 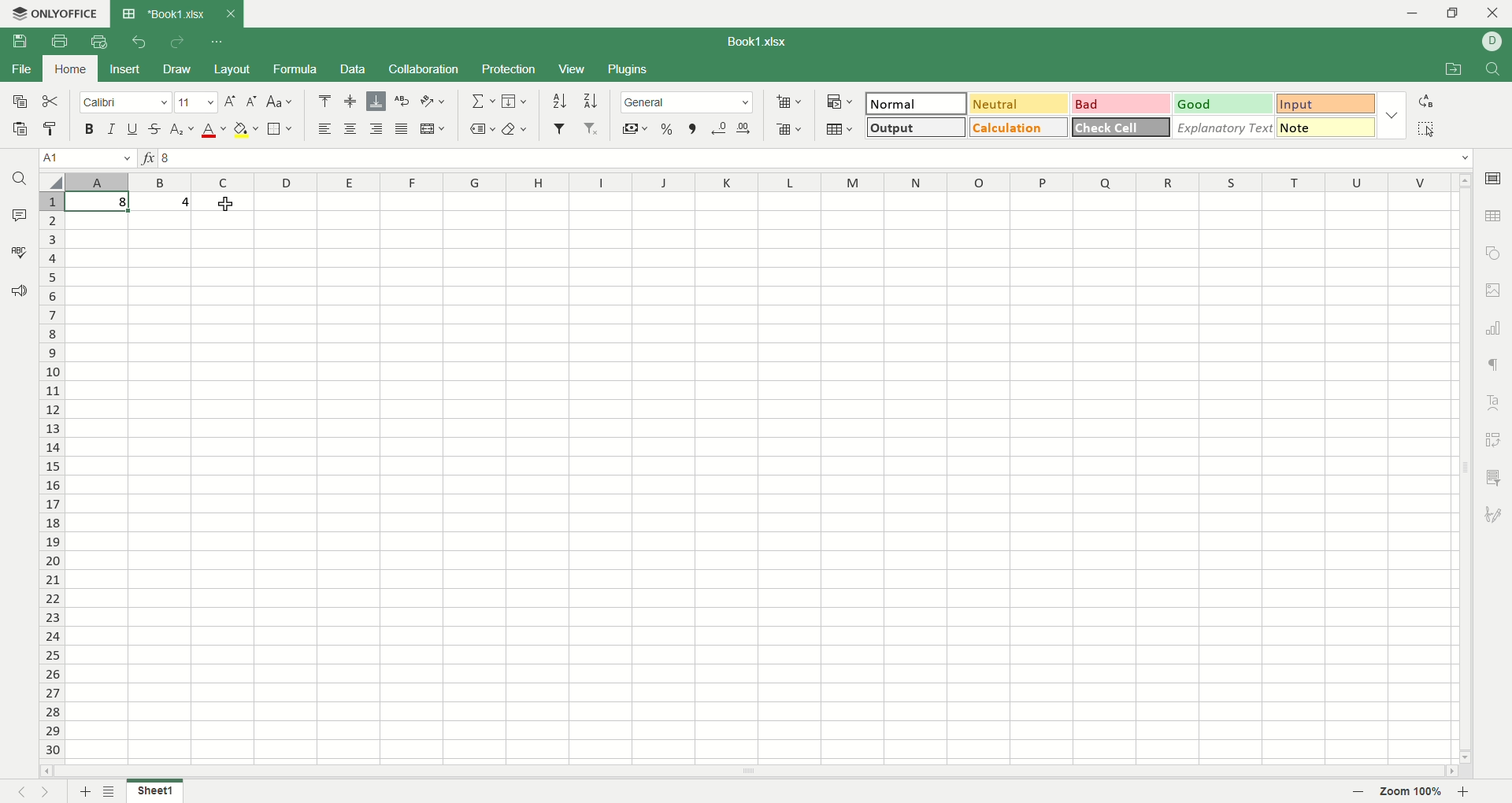 What do you see at coordinates (126, 102) in the screenshot?
I see `font name` at bounding box center [126, 102].